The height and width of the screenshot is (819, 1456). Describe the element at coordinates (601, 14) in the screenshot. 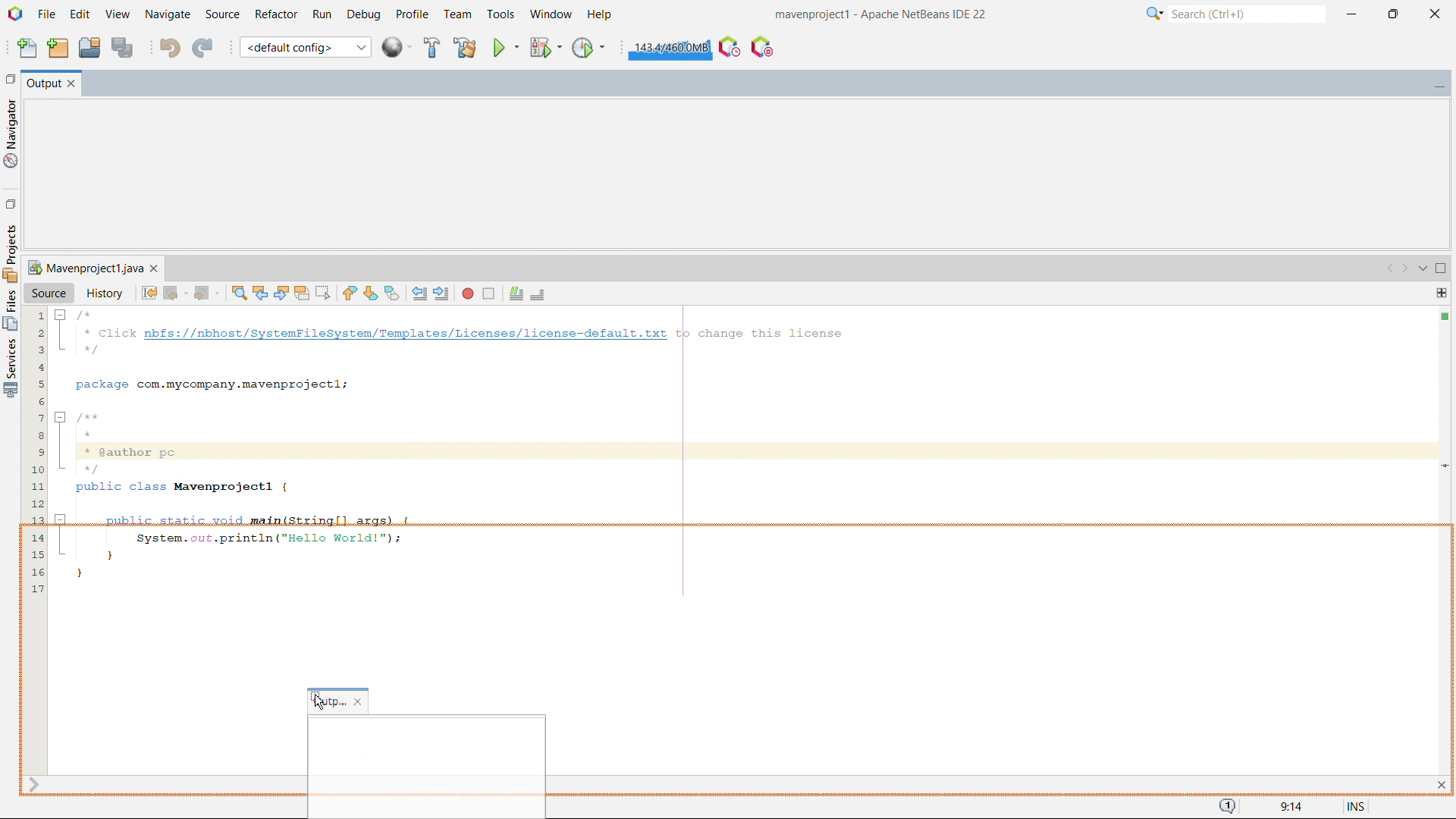

I see `h` at that location.